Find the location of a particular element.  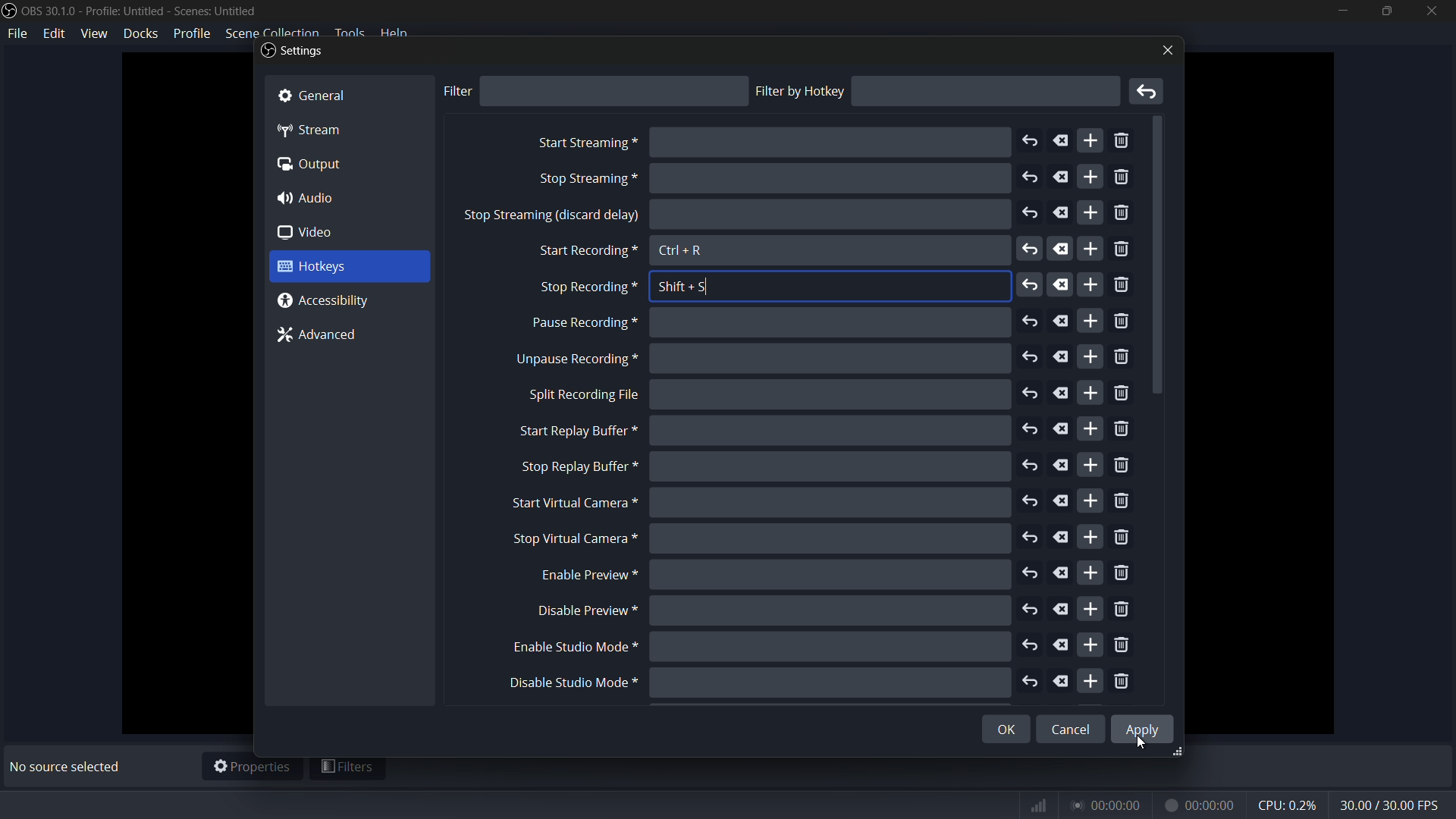

edit menu is located at coordinates (56, 33).